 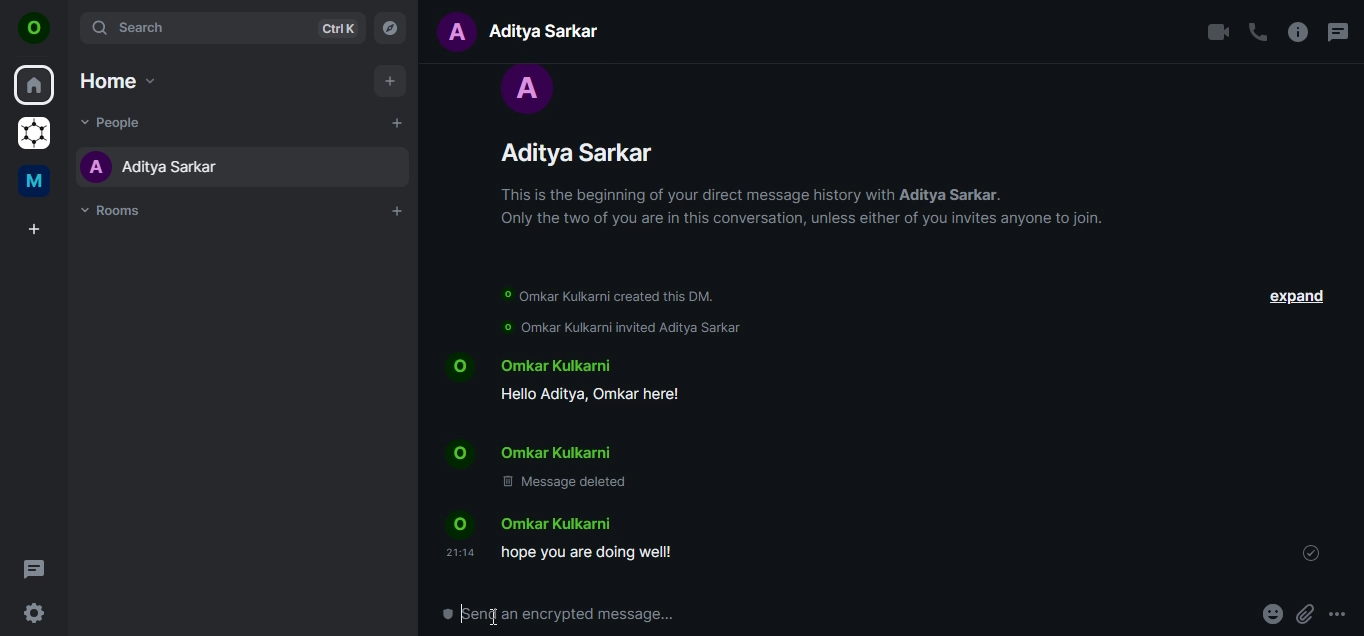 What do you see at coordinates (114, 213) in the screenshot?
I see `rooms` at bounding box center [114, 213].